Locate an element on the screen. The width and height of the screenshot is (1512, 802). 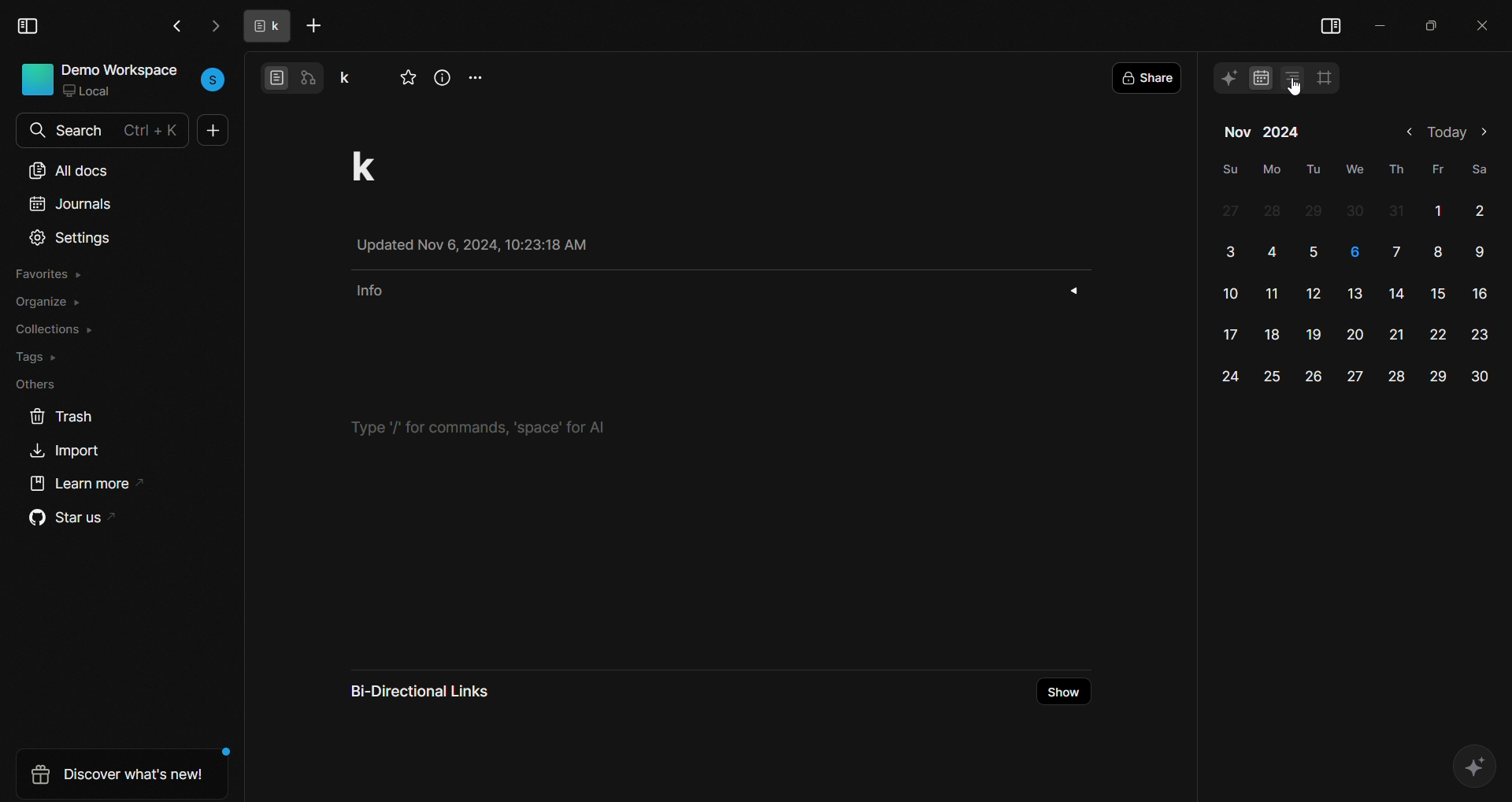
frame is located at coordinates (1329, 77).